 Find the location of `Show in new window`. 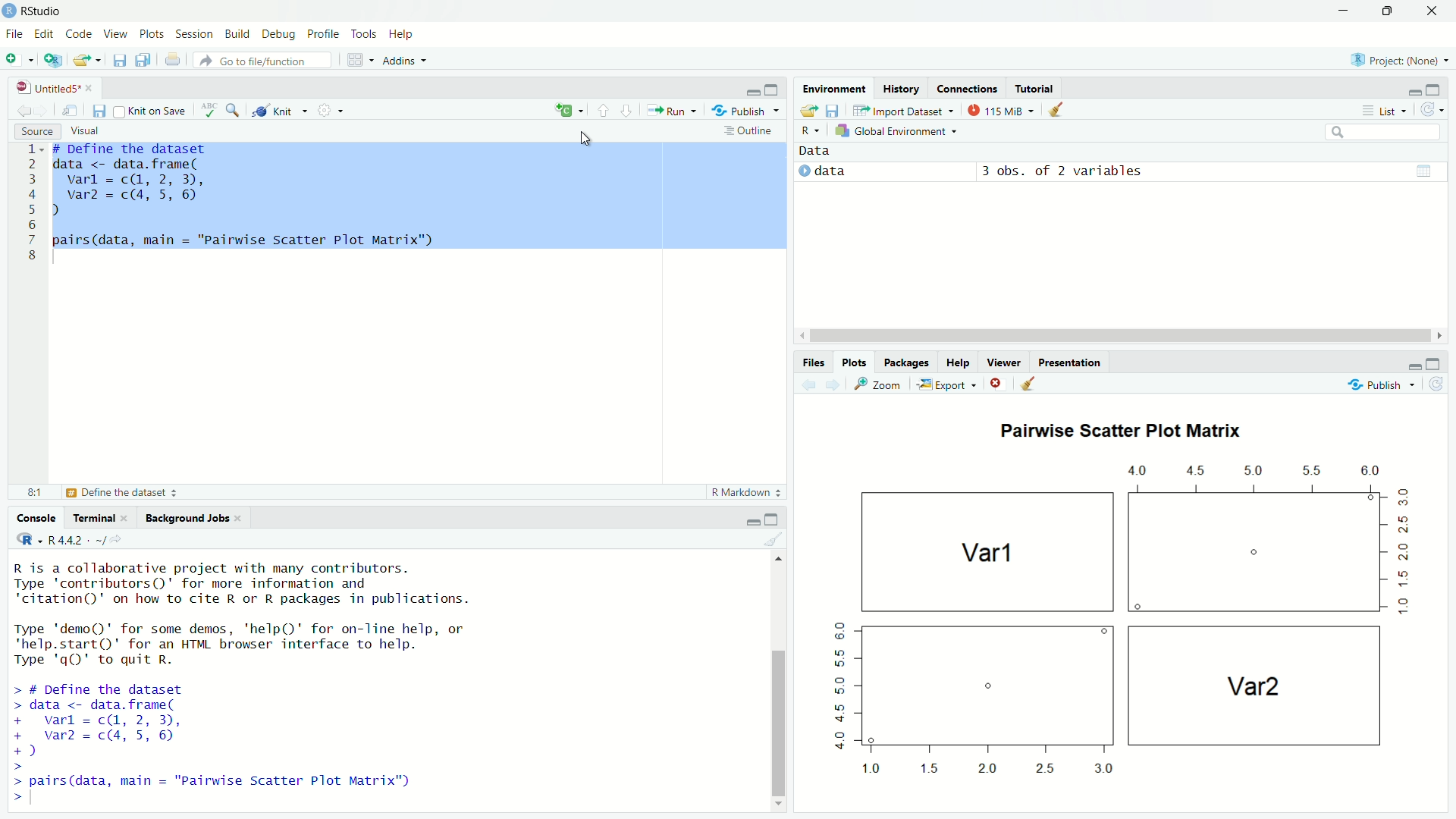

Show in new window is located at coordinates (73, 109).